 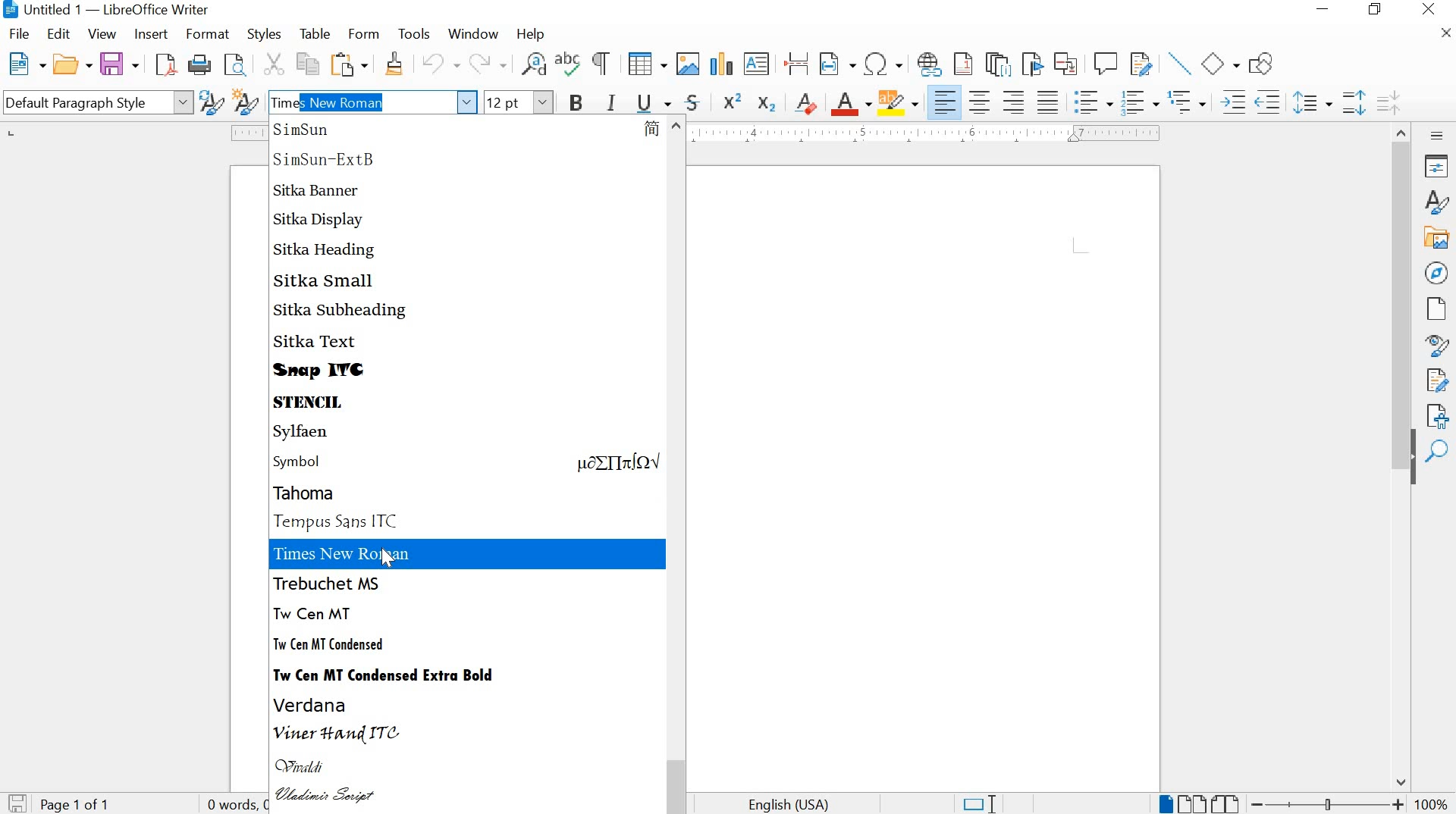 What do you see at coordinates (899, 103) in the screenshot?
I see `CHARACTER HIGHLIGHTING COLOR` at bounding box center [899, 103].